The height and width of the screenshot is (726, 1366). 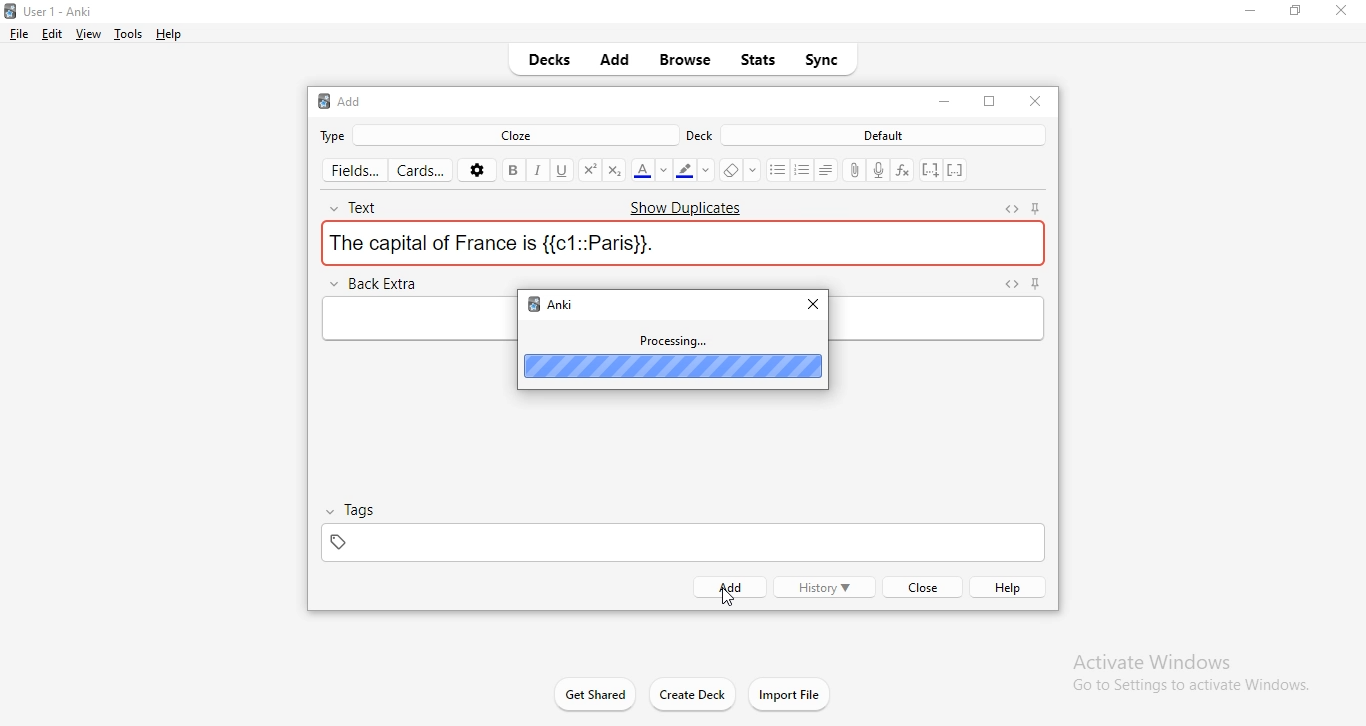 What do you see at coordinates (51, 34) in the screenshot?
I see `edit` at bounding box center [51, 34].